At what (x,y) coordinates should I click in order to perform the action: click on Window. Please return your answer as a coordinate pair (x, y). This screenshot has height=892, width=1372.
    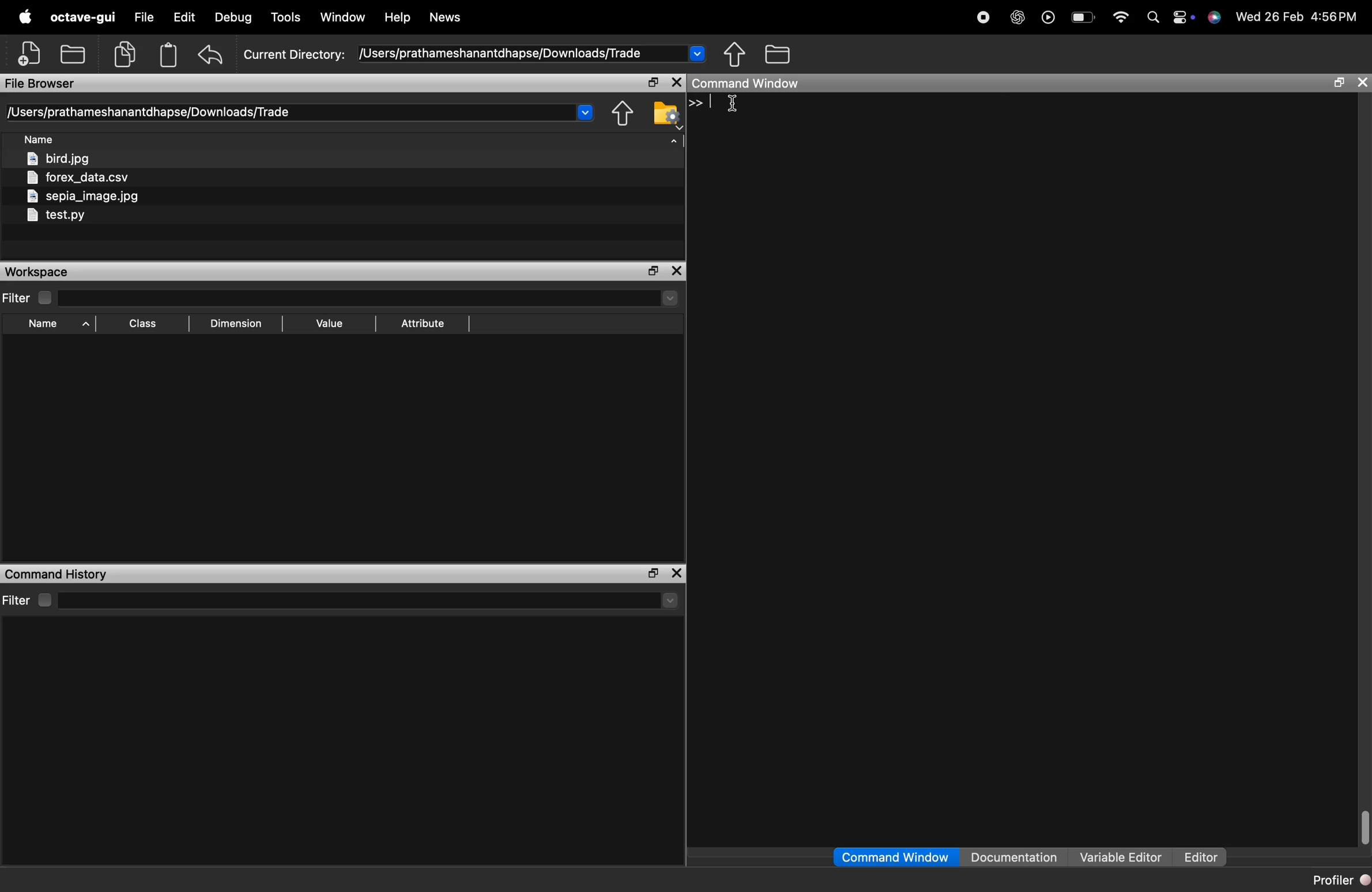
    Looking at the image, I should click on (342, 16).